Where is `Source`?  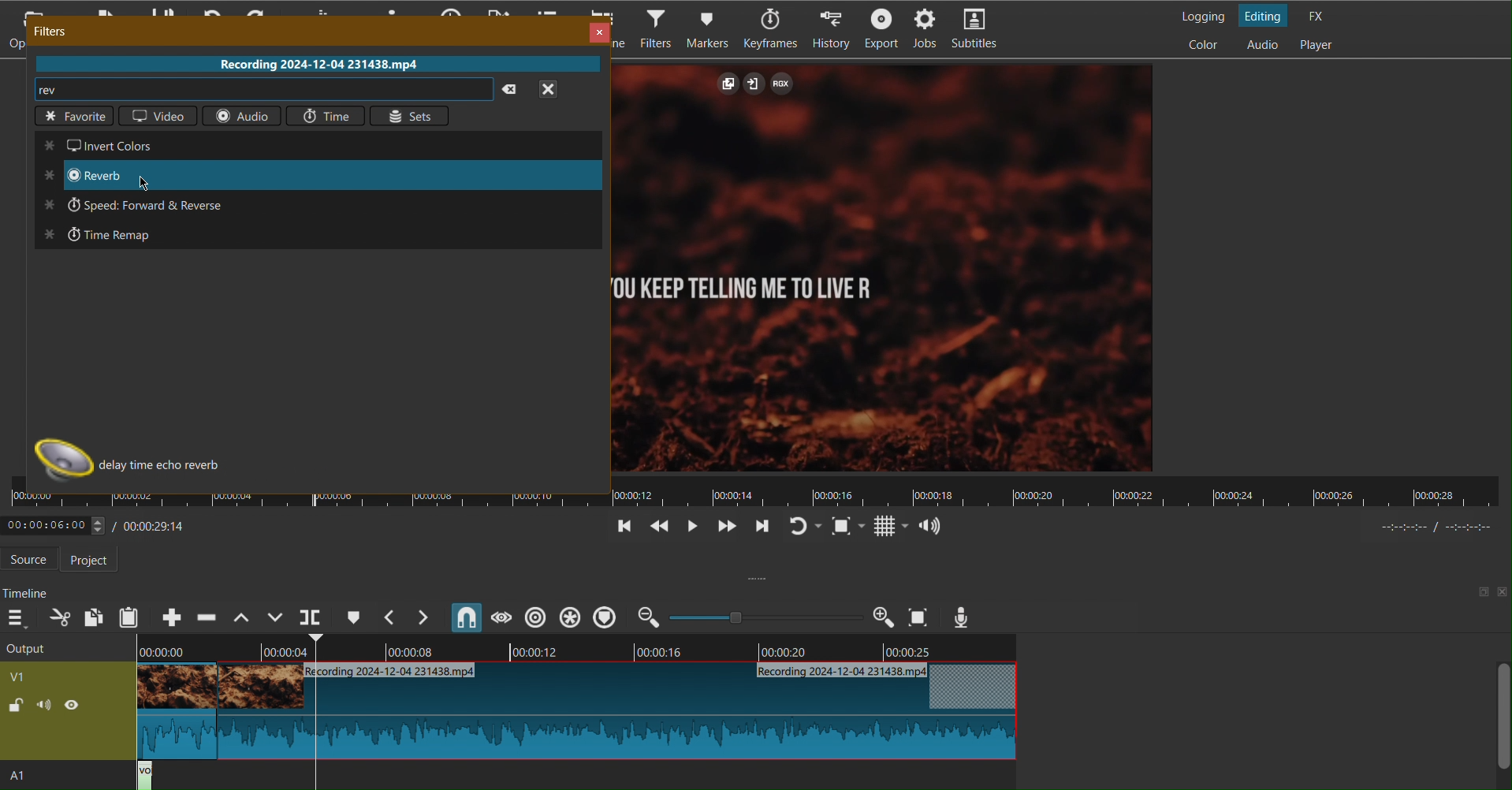 Source is located at coordinates (30, 559).